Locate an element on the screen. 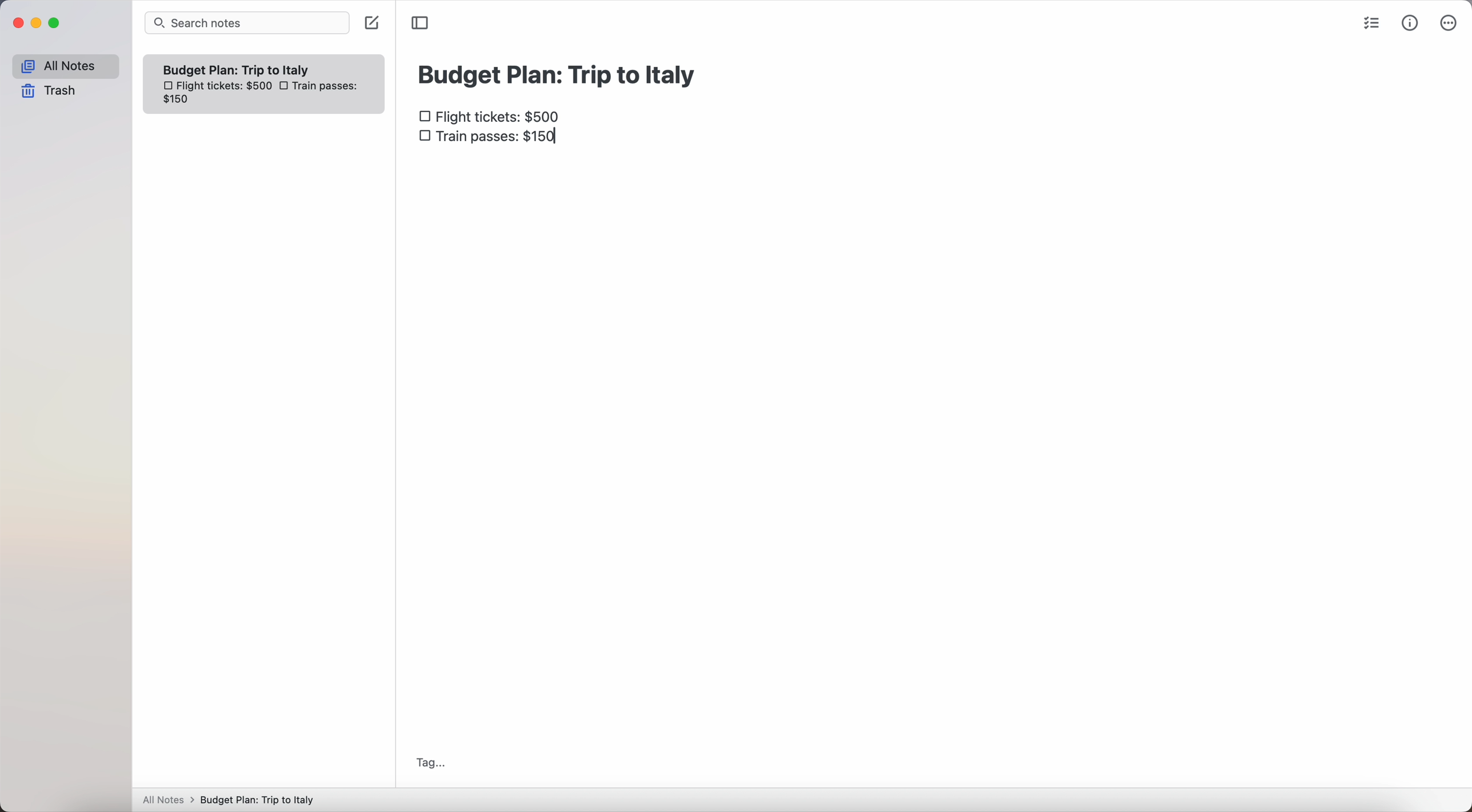 This screenshot has width=1472, height=812. flight tickets: $500 is located at coordinates (493, 118).